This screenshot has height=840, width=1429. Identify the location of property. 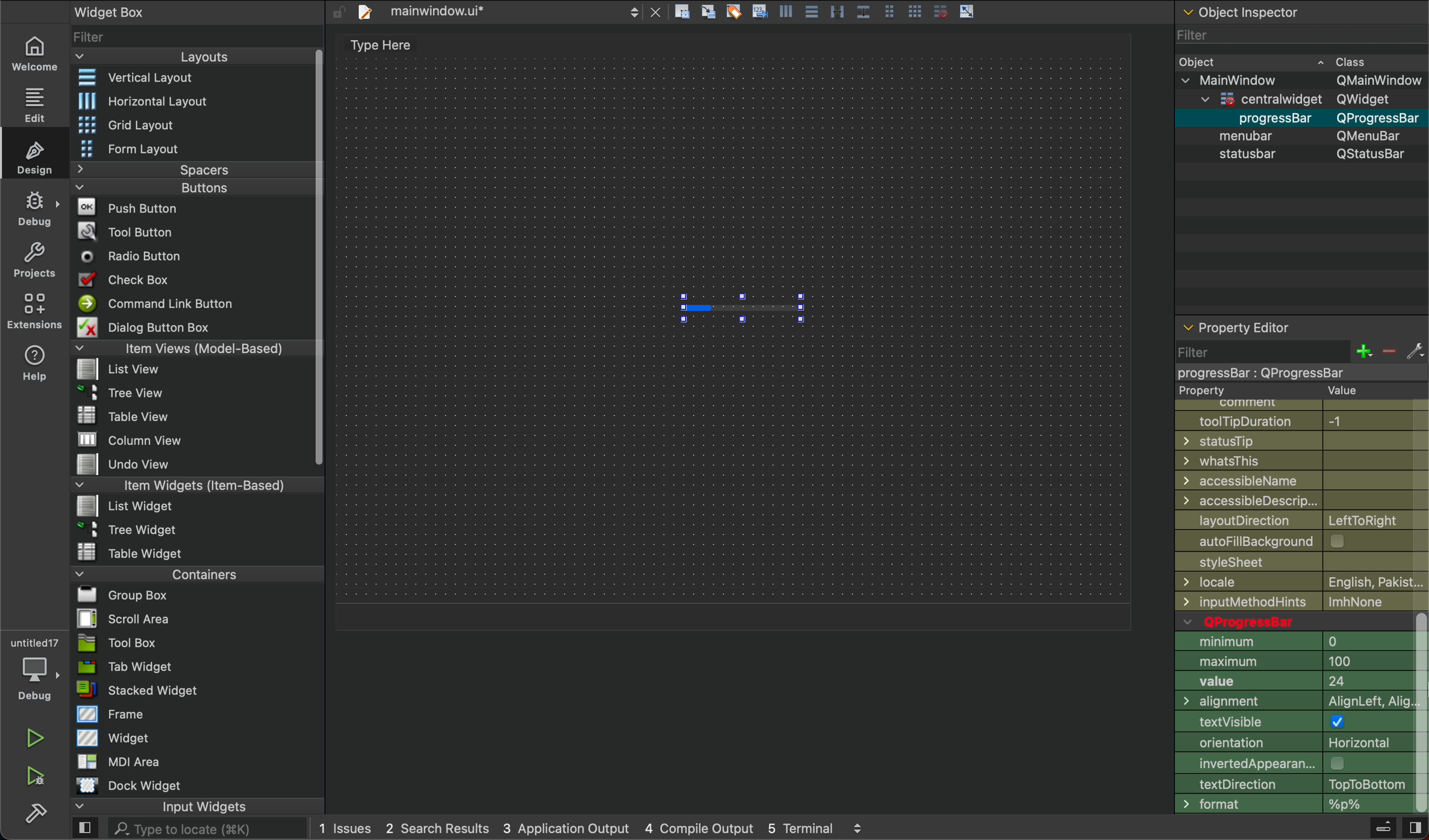
(1280, 391).